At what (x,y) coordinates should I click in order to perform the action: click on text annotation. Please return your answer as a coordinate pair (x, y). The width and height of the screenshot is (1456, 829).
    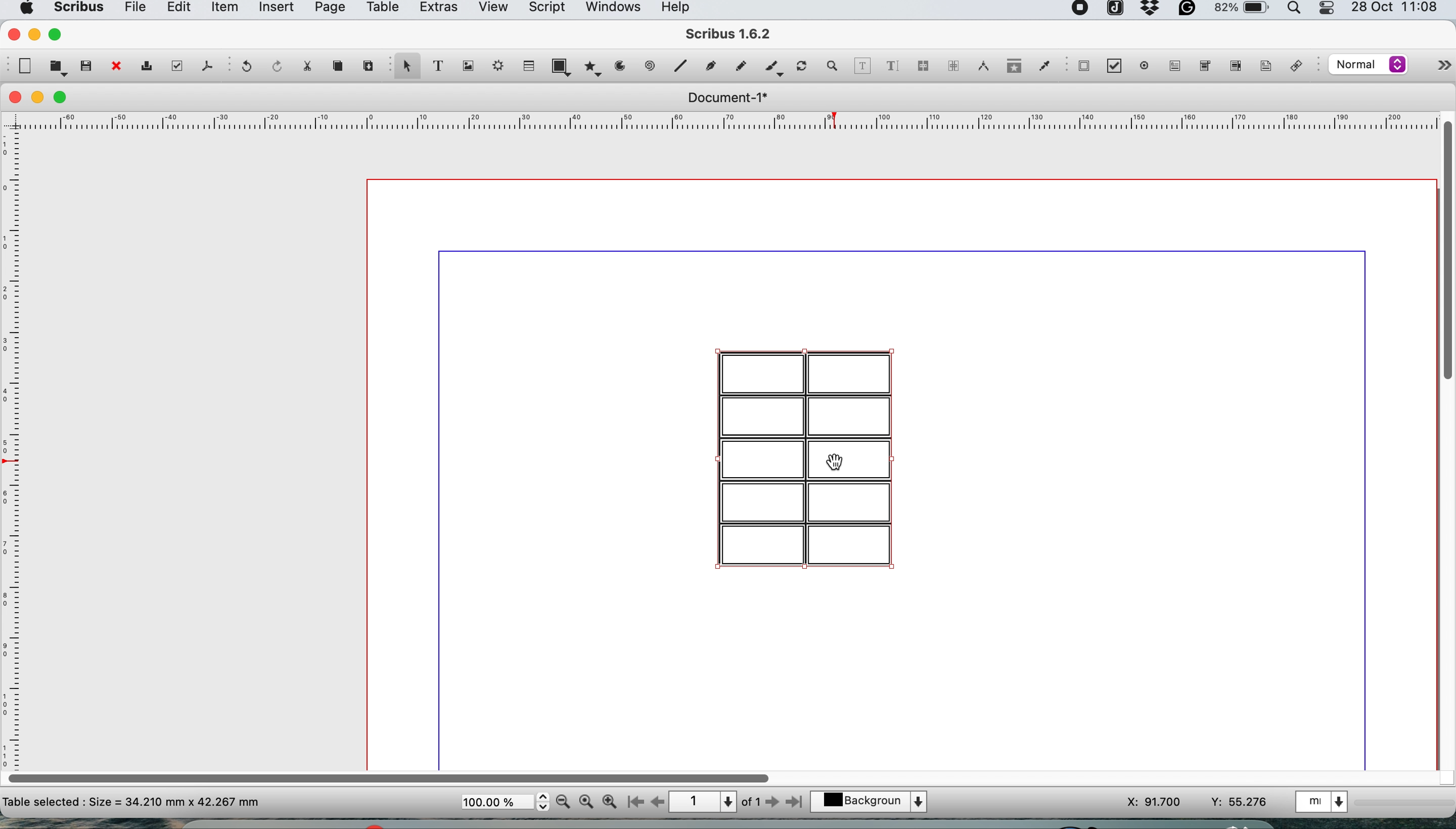
    Looking at the image, I should click on (1264, 65).